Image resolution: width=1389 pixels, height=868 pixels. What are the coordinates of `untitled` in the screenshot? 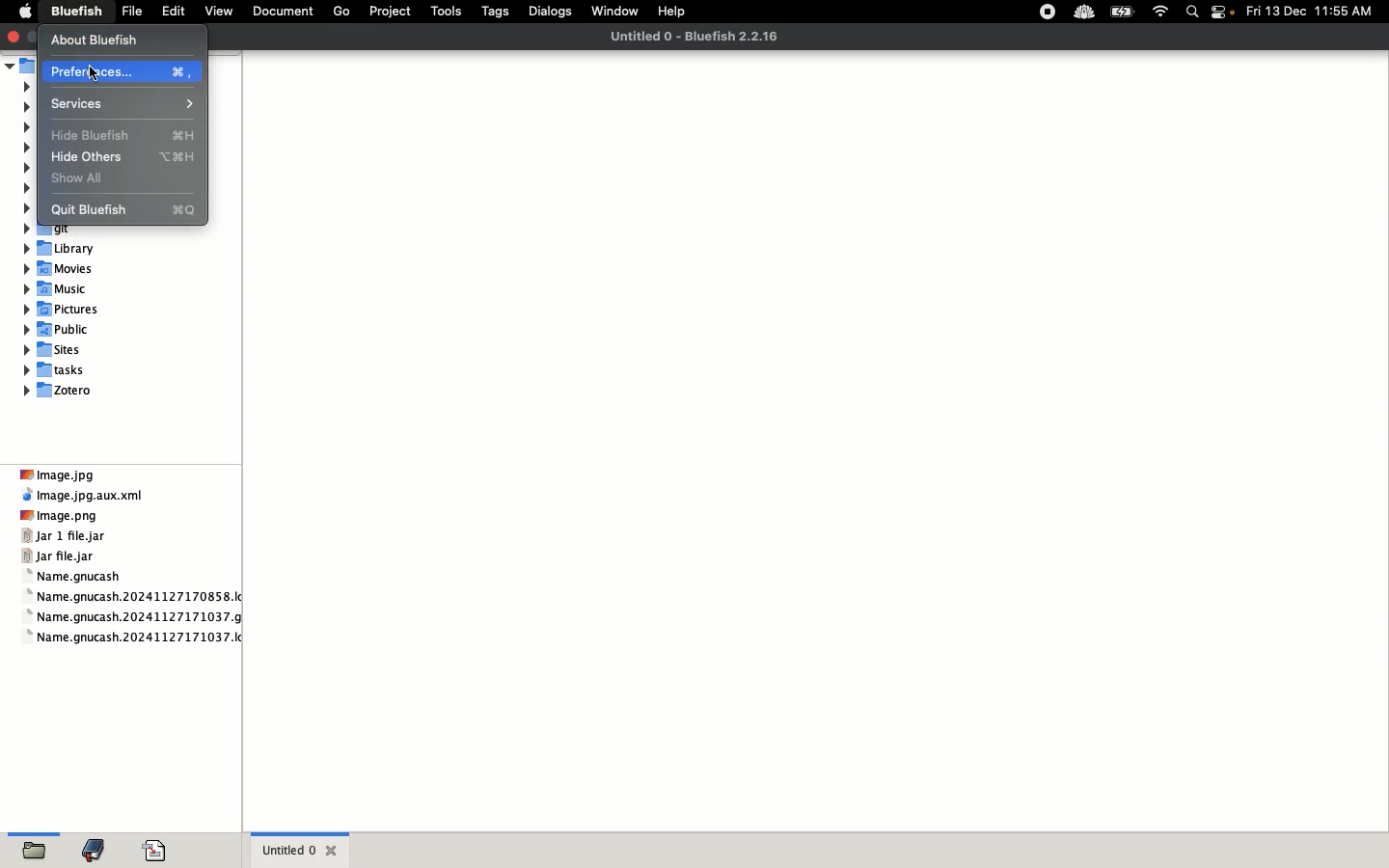 It's located at (698, 36).